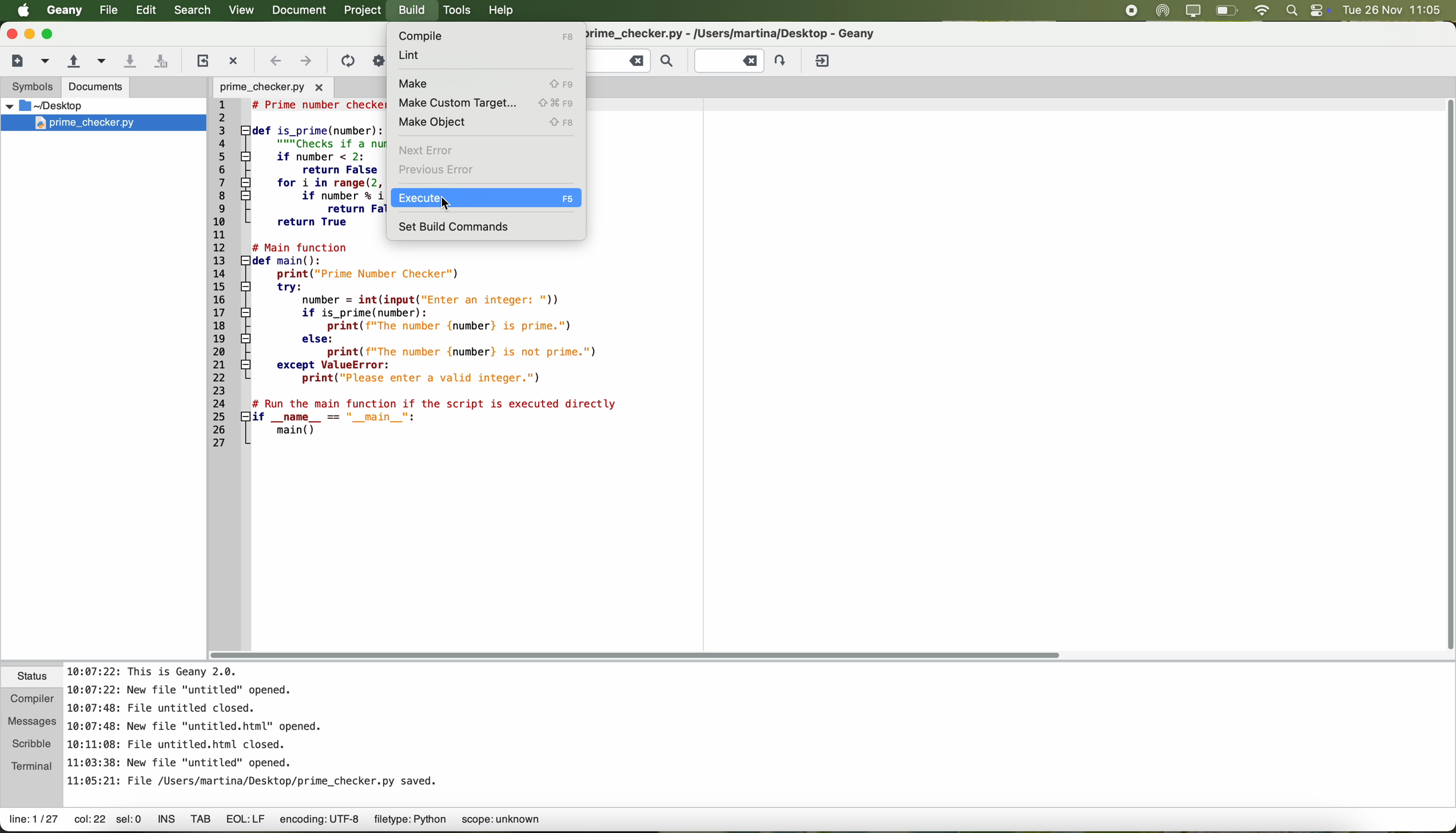 The image size is (1456, 833). Describe the element at coordinates (164, 60) in the screenshot. I see `save all open files` at that location.